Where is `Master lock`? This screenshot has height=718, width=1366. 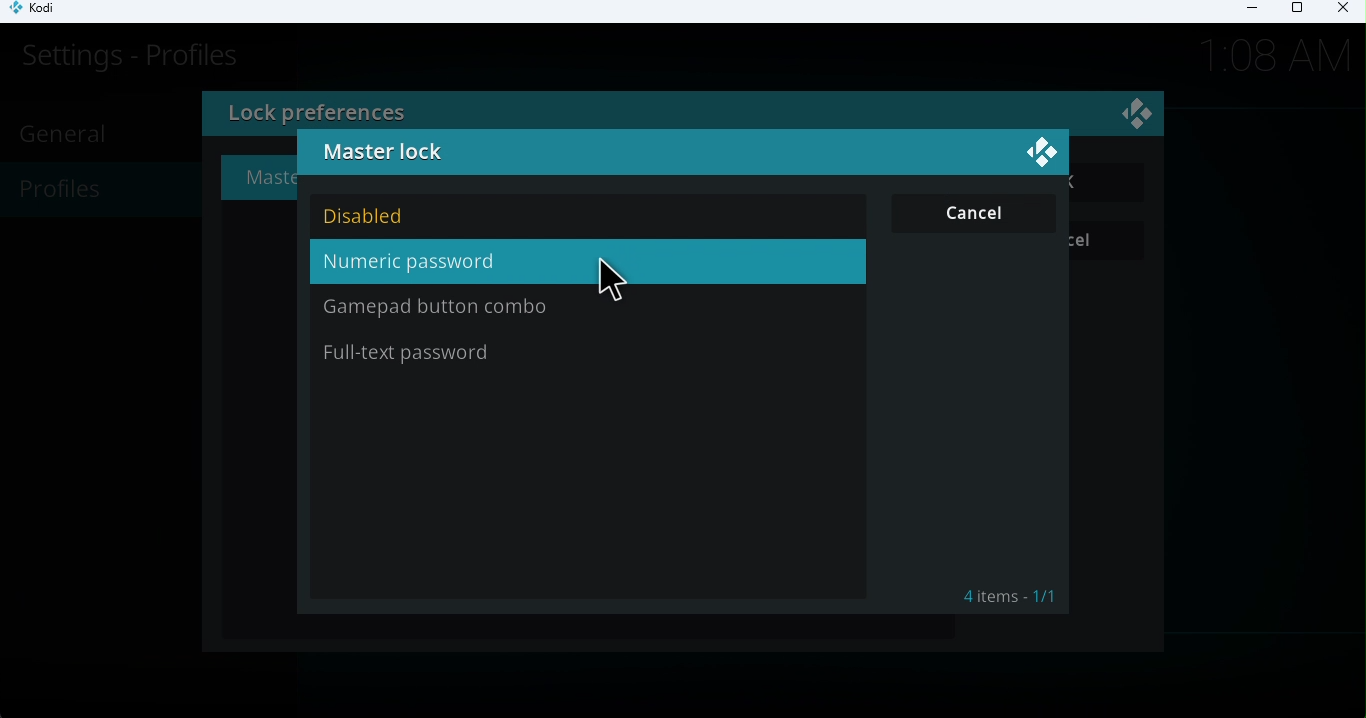
Master lock is located at coordinates (402, 149).